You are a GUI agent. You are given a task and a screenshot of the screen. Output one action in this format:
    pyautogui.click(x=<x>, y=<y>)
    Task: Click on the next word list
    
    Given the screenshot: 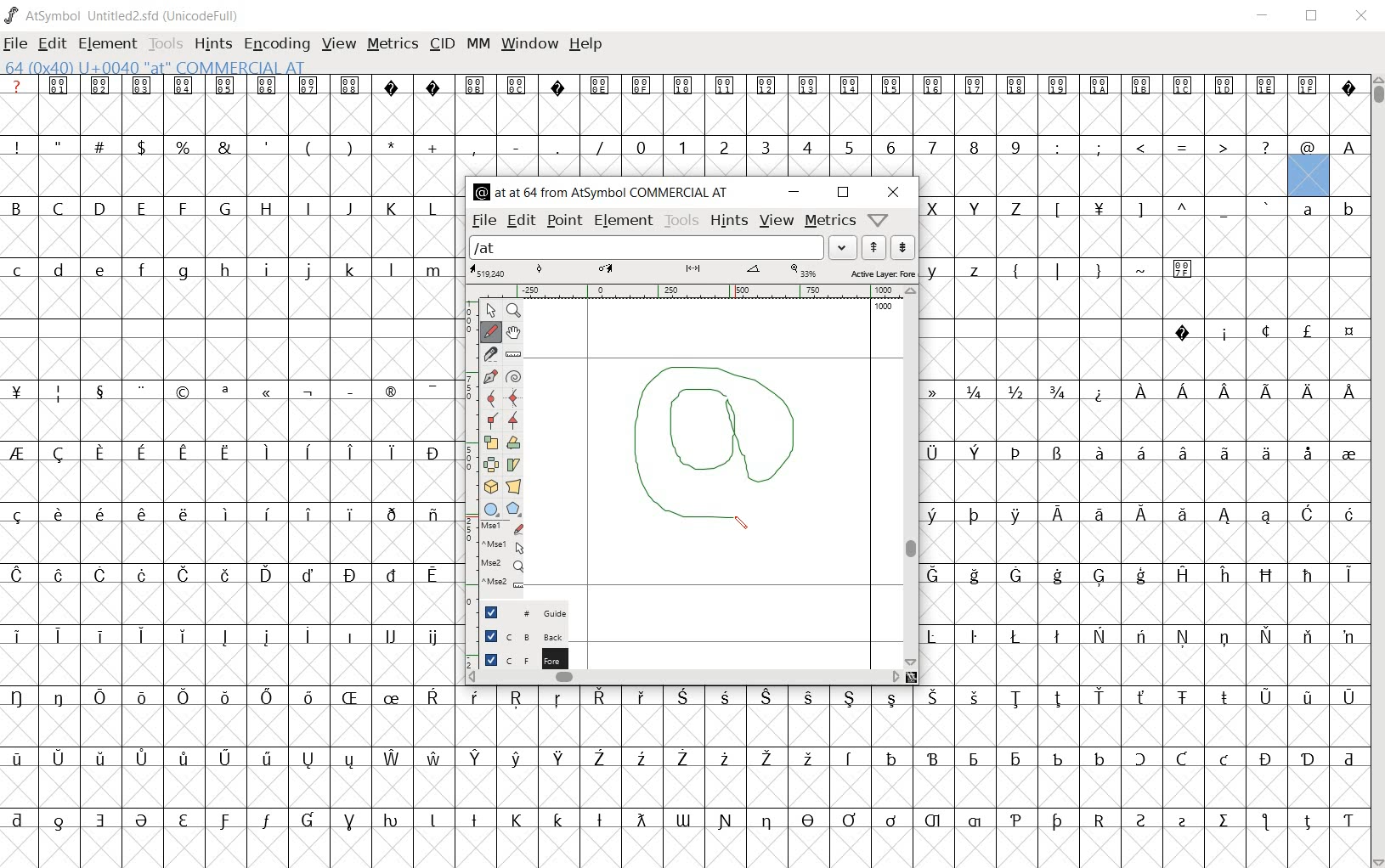 What is the action you would take?
    pyautogui.click(x=904, y=247)
    